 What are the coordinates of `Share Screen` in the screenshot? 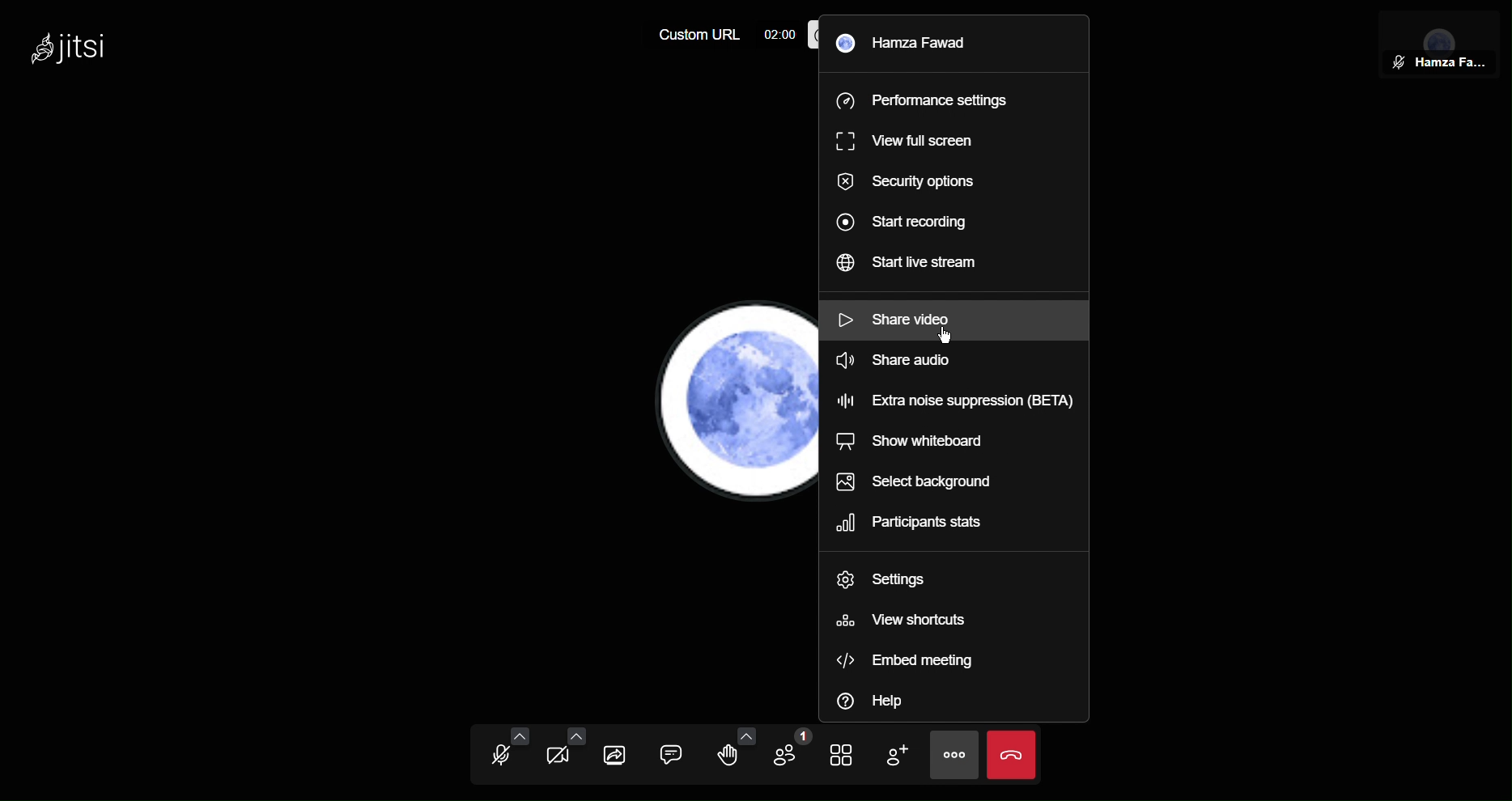 It's located at (617, 755).